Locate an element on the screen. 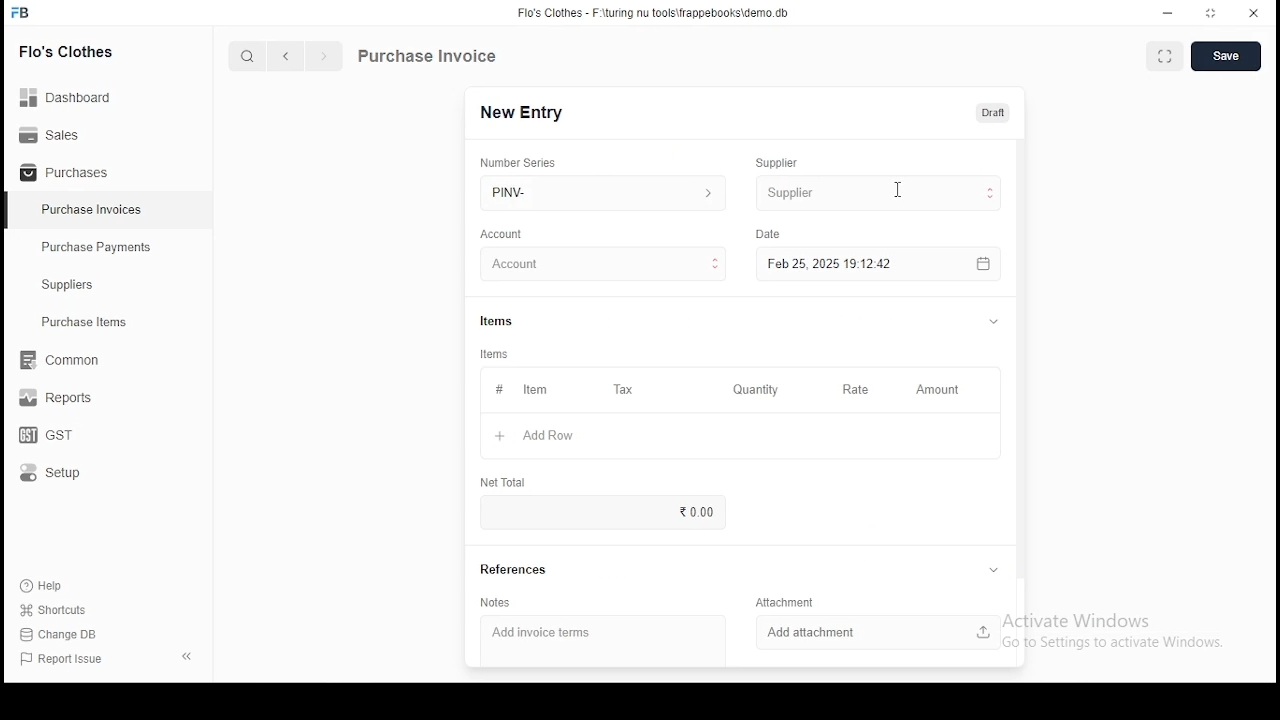 This screenshot has width=1280, height=720. flo's clothes - F:\turing nu tools\frappebooks\demo.db is located at coordinates (654, 13).